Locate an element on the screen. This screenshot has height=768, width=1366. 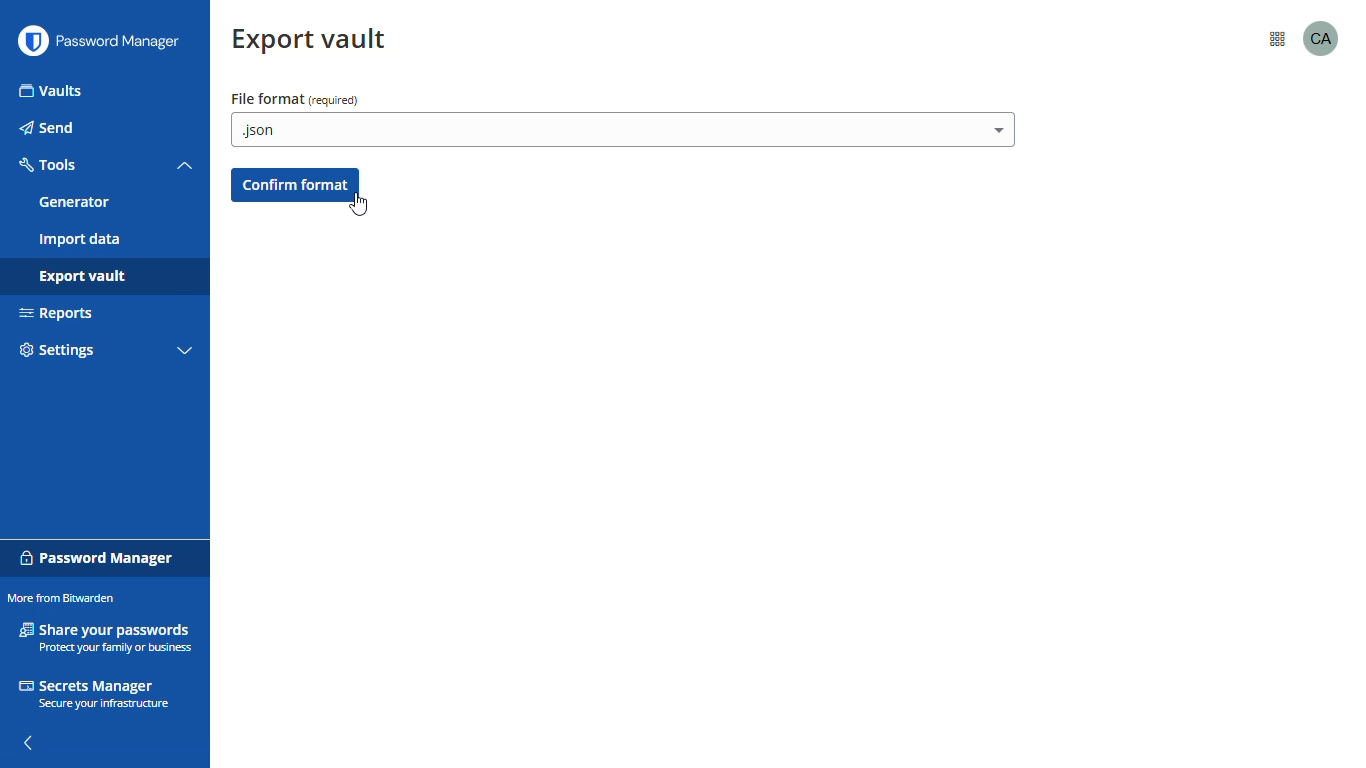
tools is located at coordinates (50, 165).